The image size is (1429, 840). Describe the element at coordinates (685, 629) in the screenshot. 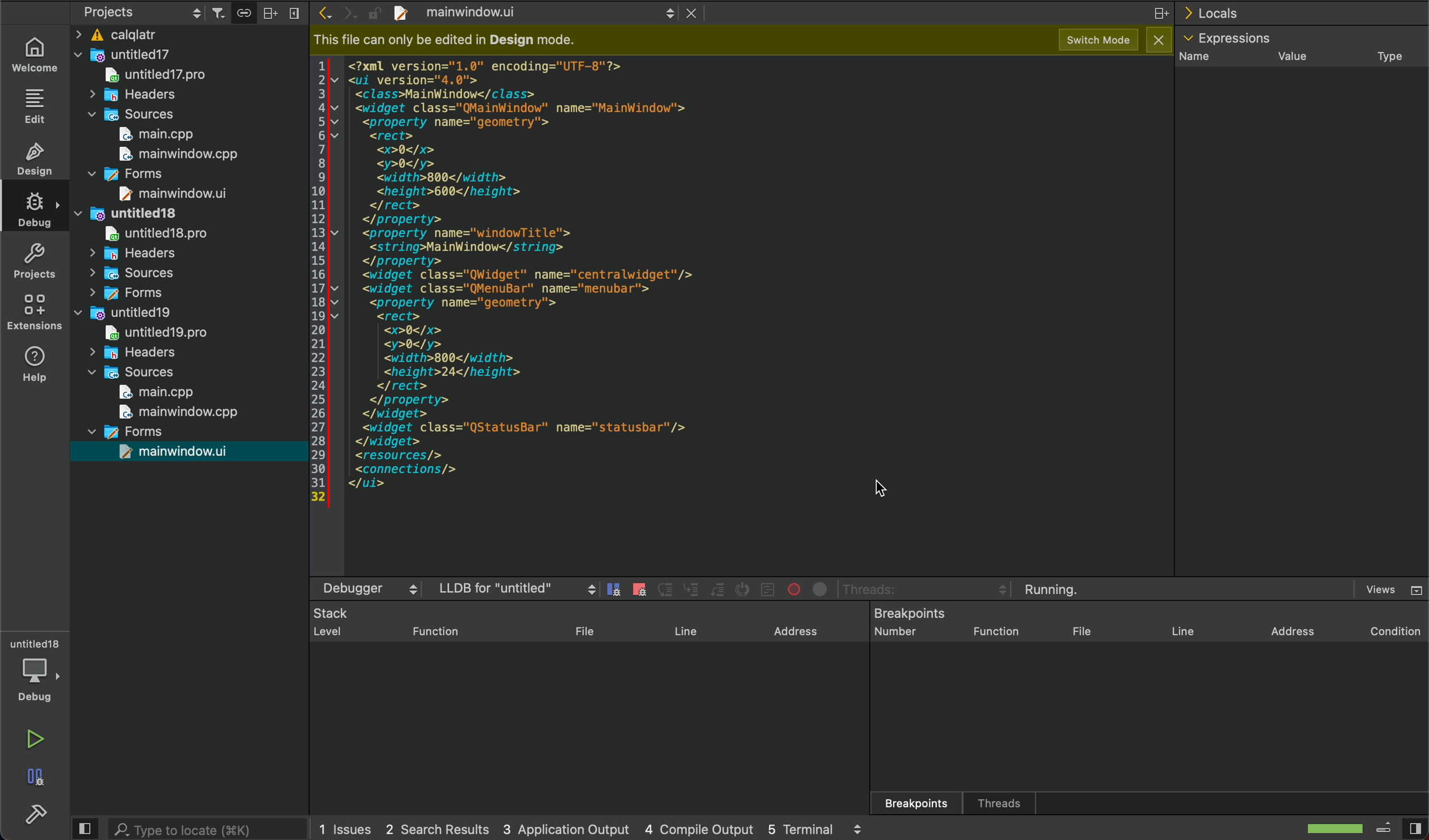

I see `Line` at that location.